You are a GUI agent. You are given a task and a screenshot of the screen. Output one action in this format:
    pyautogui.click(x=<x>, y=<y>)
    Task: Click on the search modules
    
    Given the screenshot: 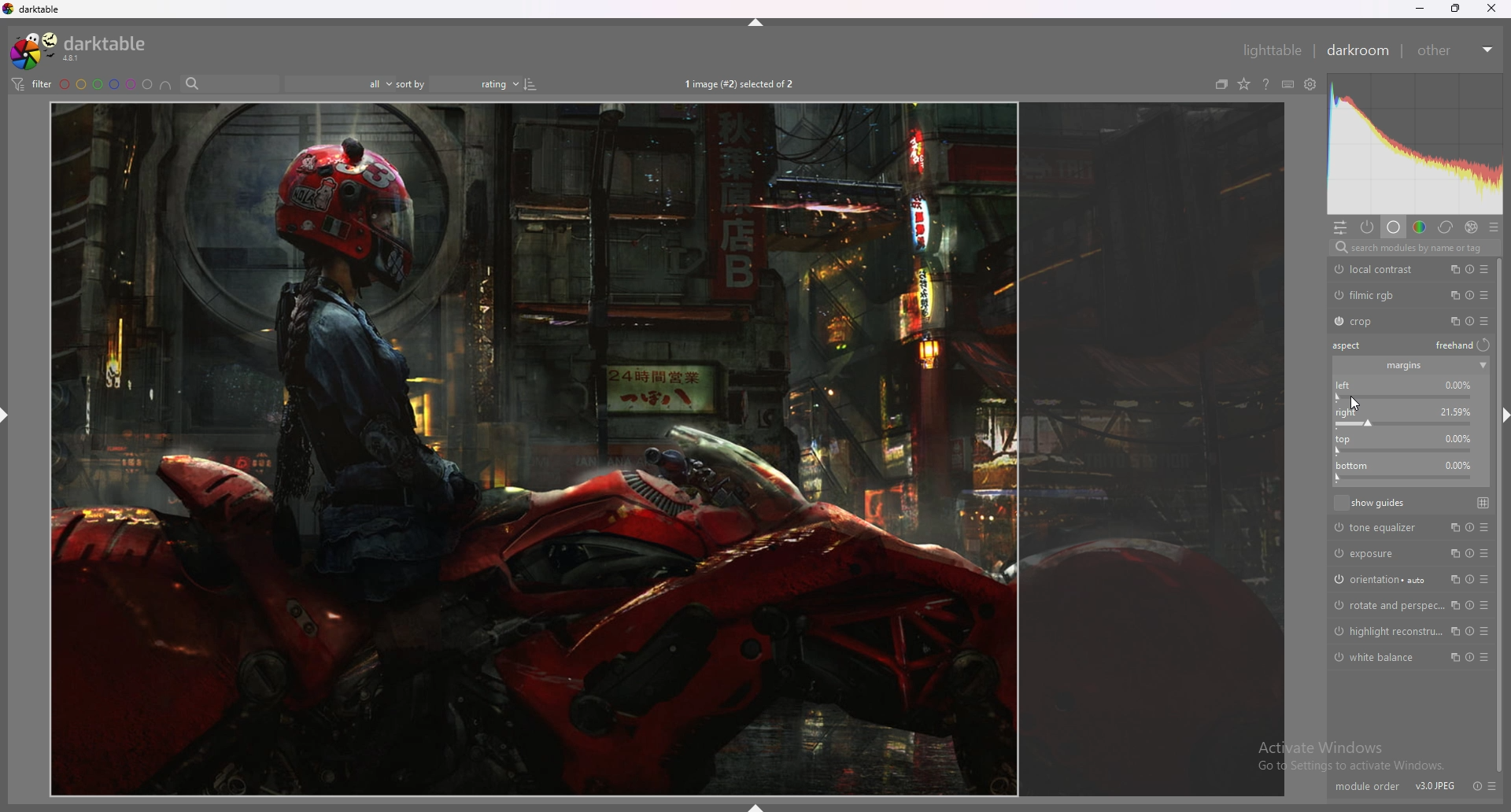 What is the action you would take?
    pyautogui.click(x=1413, y=248)
    